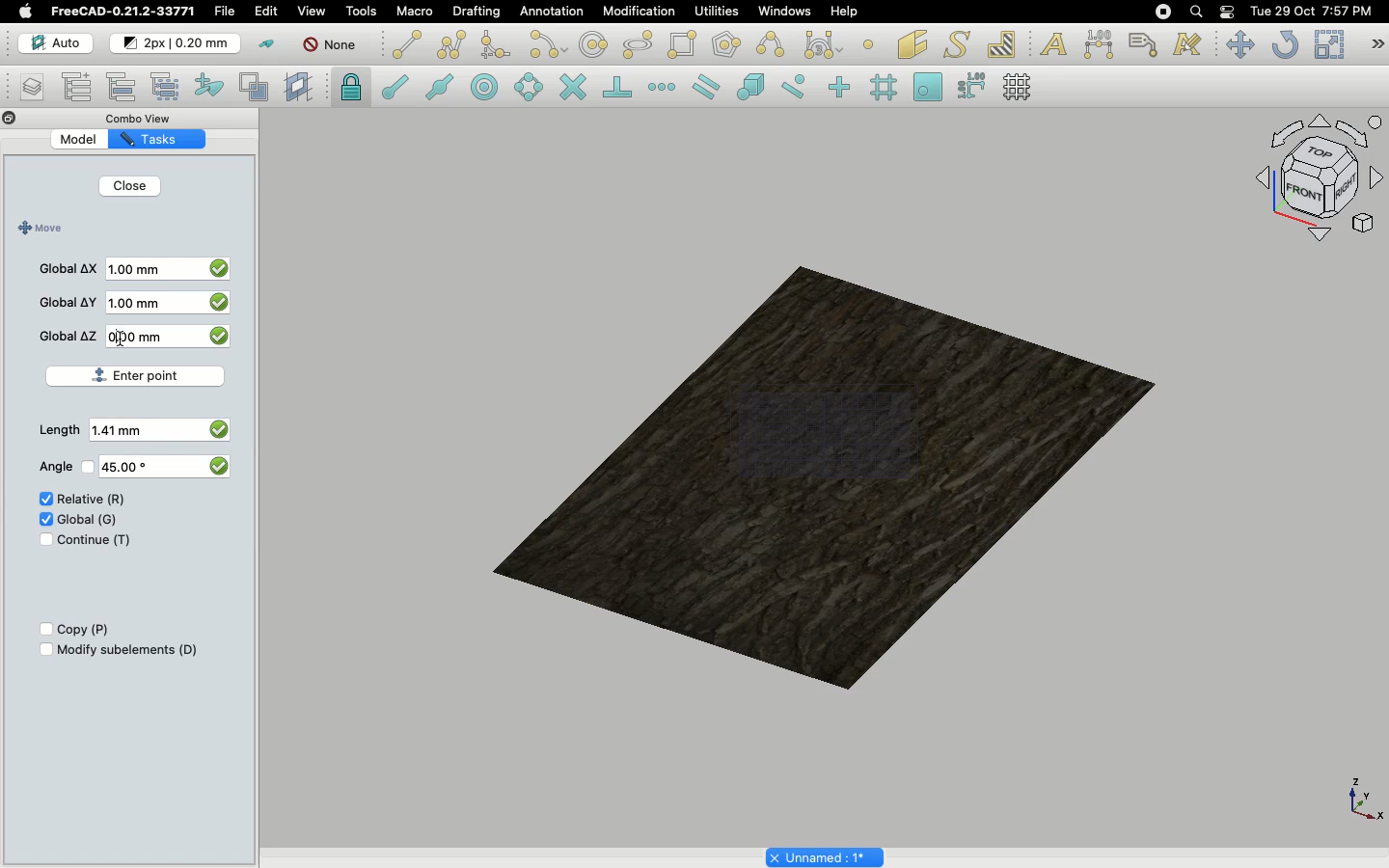 This screenshot has height=868, width=1389. I want to click on Polygon, so click(728, 47).